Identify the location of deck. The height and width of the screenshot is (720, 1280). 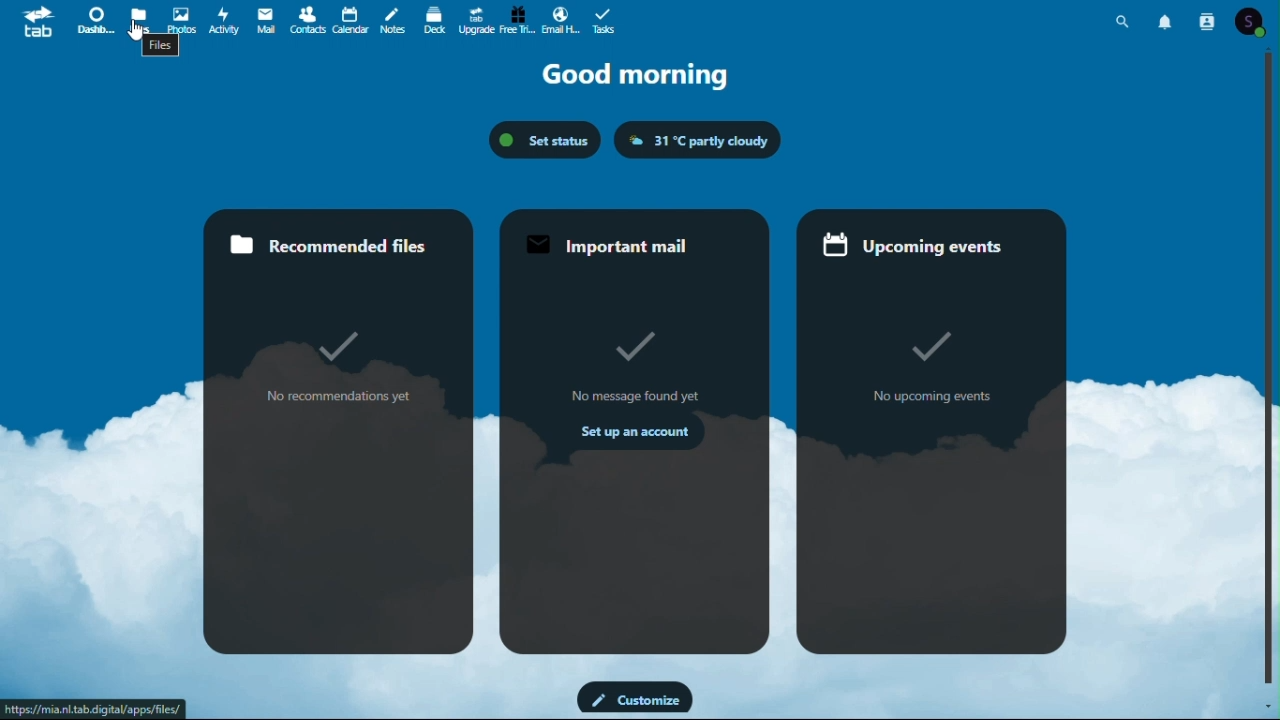
(436, 18).